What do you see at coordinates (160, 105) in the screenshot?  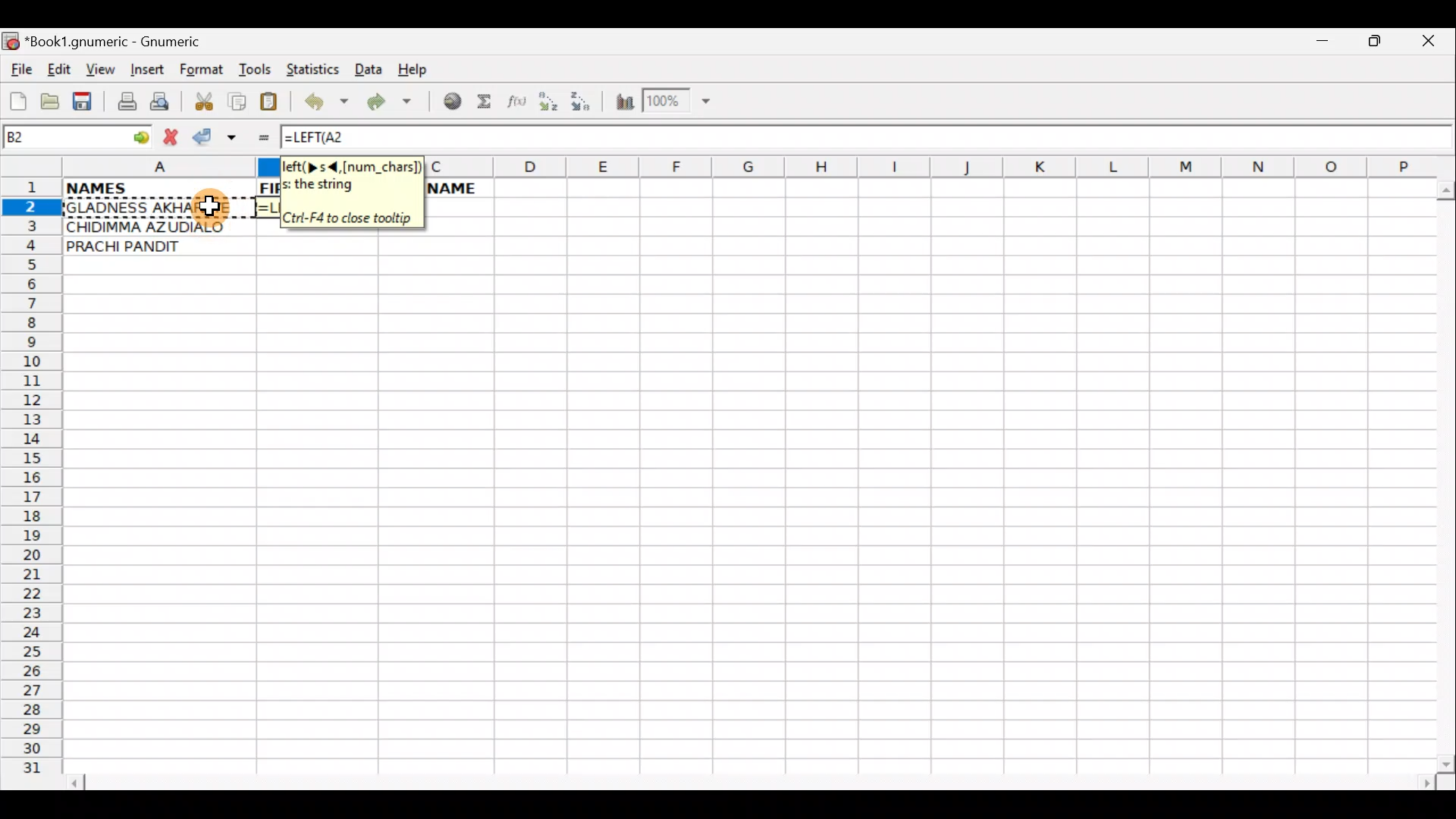 I see `Print preview` at bounding box center [160, 105].